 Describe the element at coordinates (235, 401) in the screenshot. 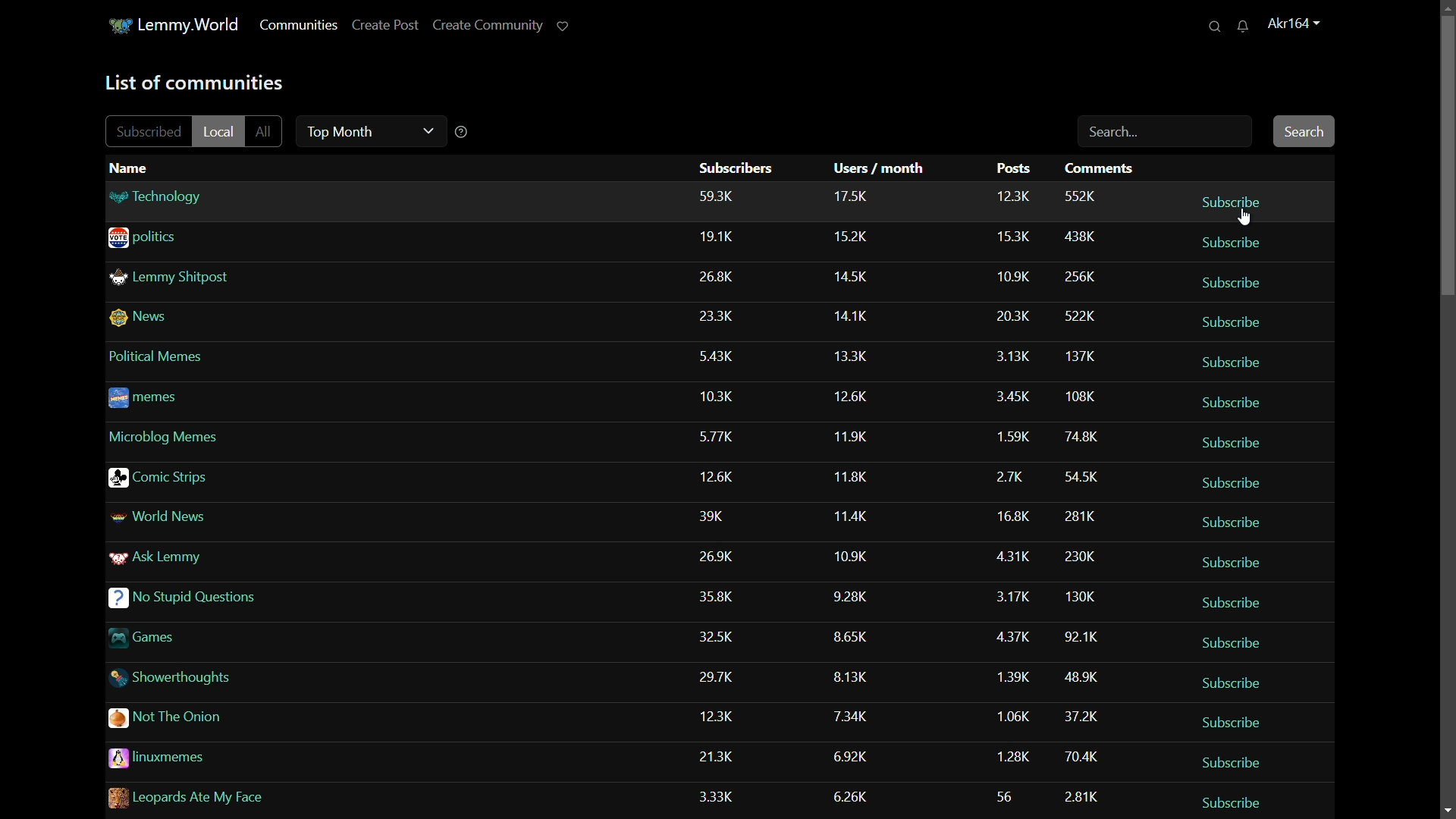

I see `communities name` at that location.